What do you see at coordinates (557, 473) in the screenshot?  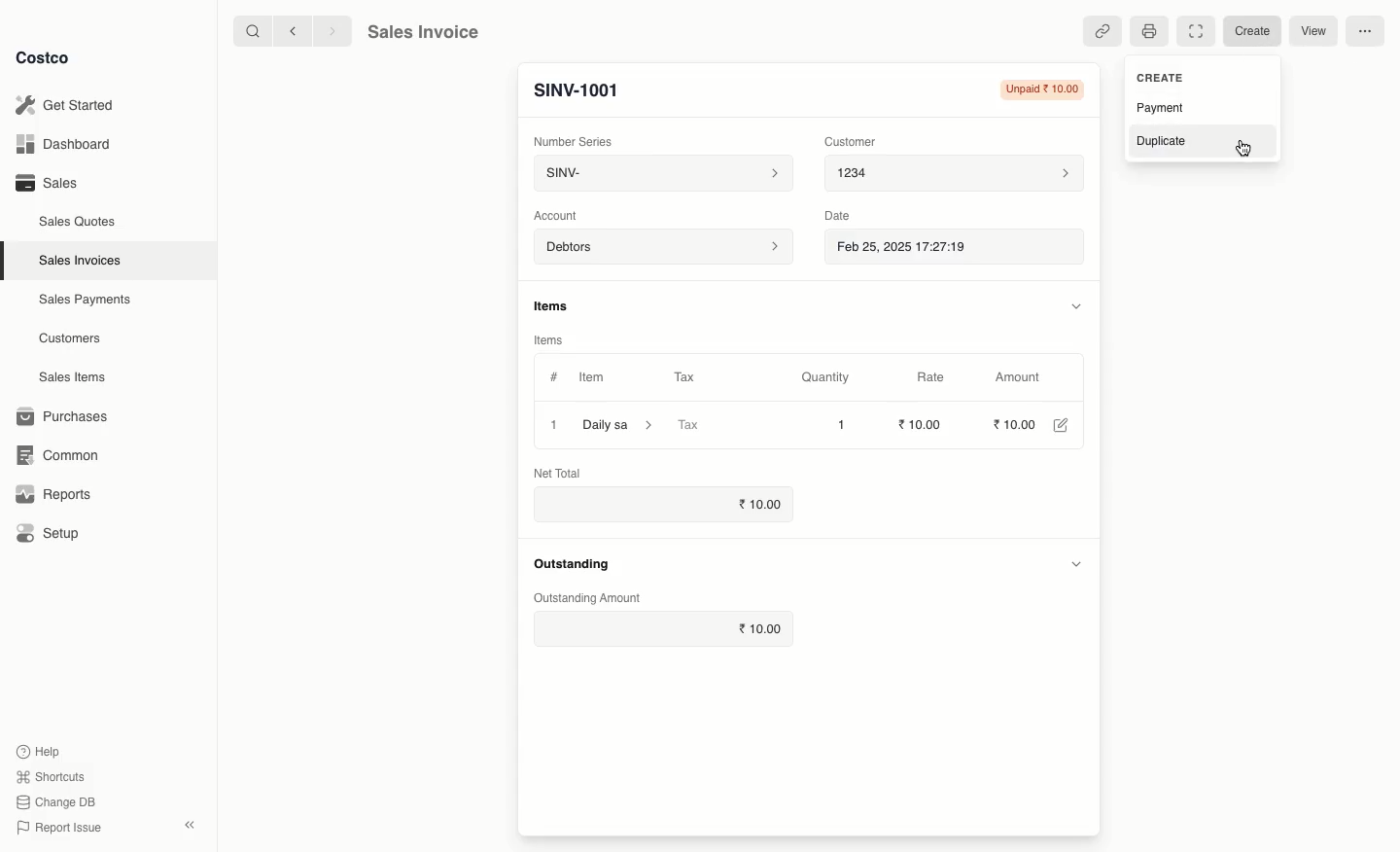 I see `Net Total` at bounding box center [557, 473].